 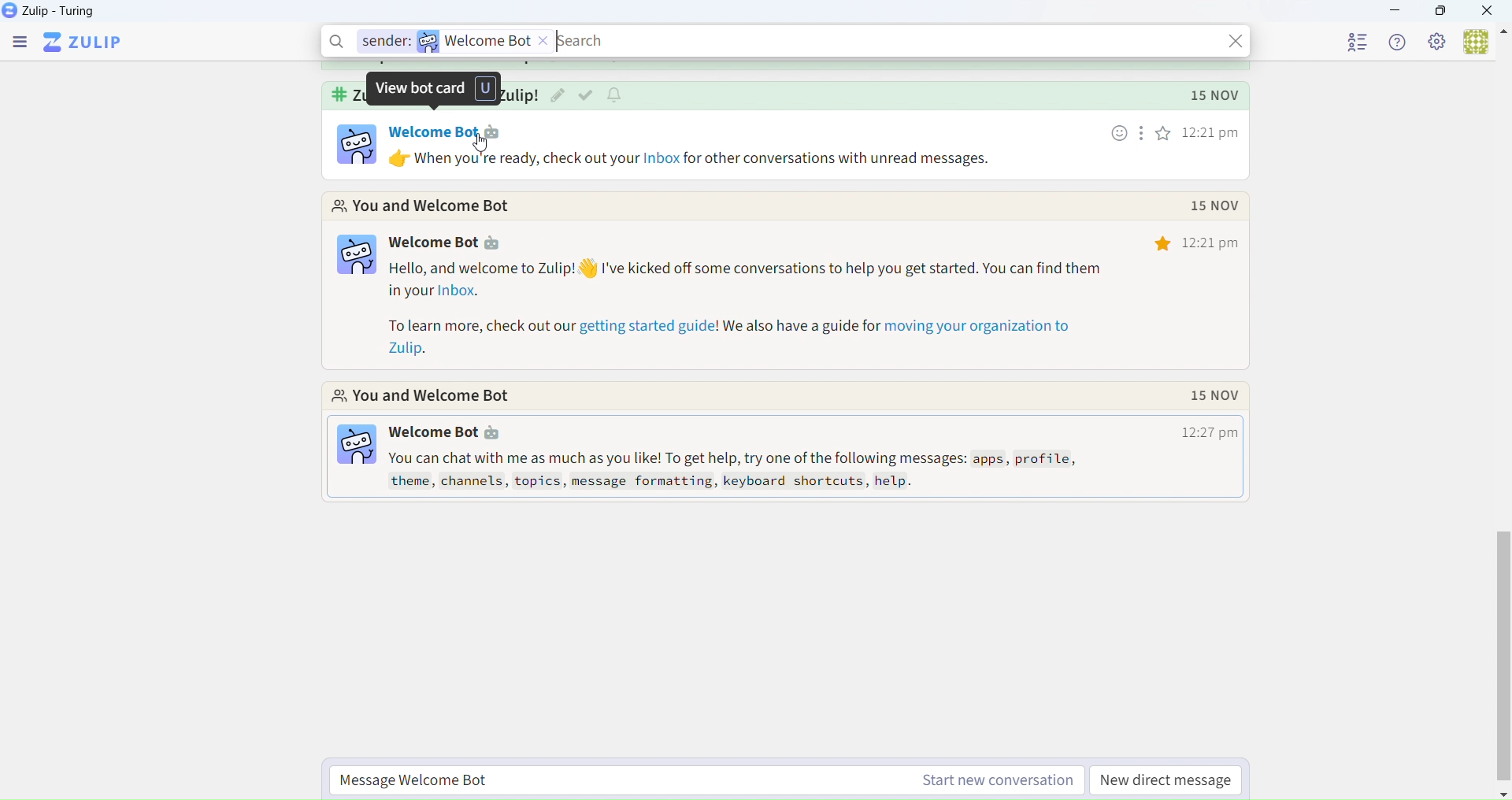 I want to click on Box, so click(x=1441, y=10).